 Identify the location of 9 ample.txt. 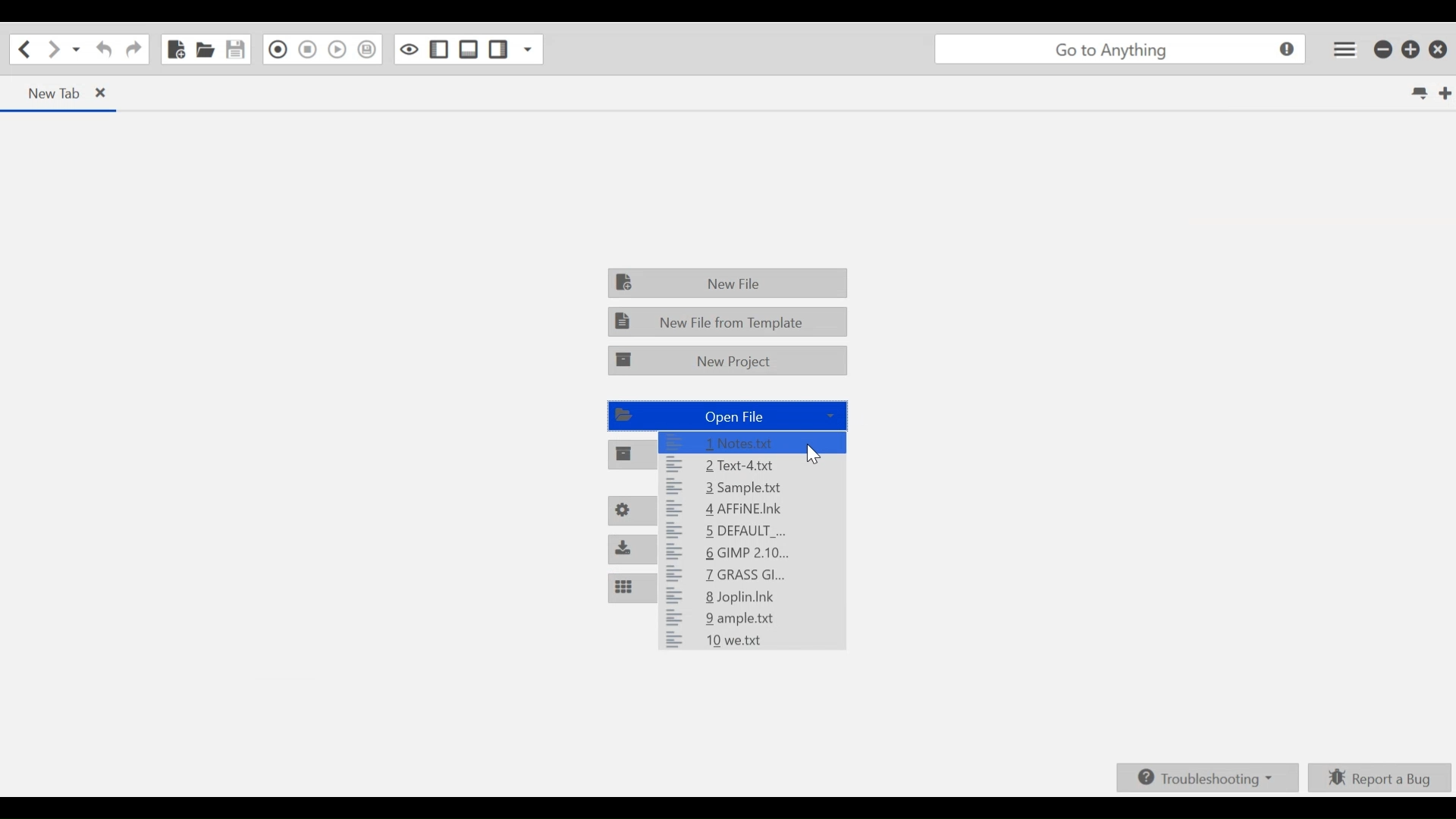
(755, 618).